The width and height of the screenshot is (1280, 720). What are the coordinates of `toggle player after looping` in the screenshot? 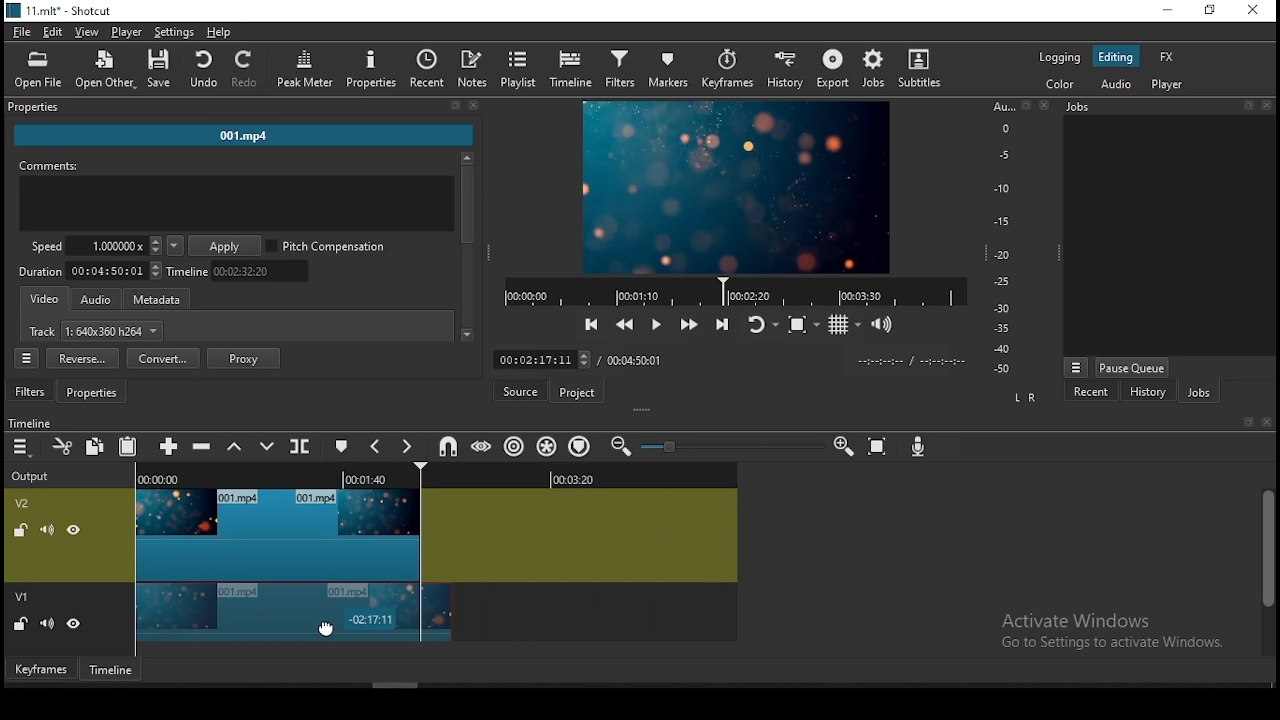 It's located at (763, 322).